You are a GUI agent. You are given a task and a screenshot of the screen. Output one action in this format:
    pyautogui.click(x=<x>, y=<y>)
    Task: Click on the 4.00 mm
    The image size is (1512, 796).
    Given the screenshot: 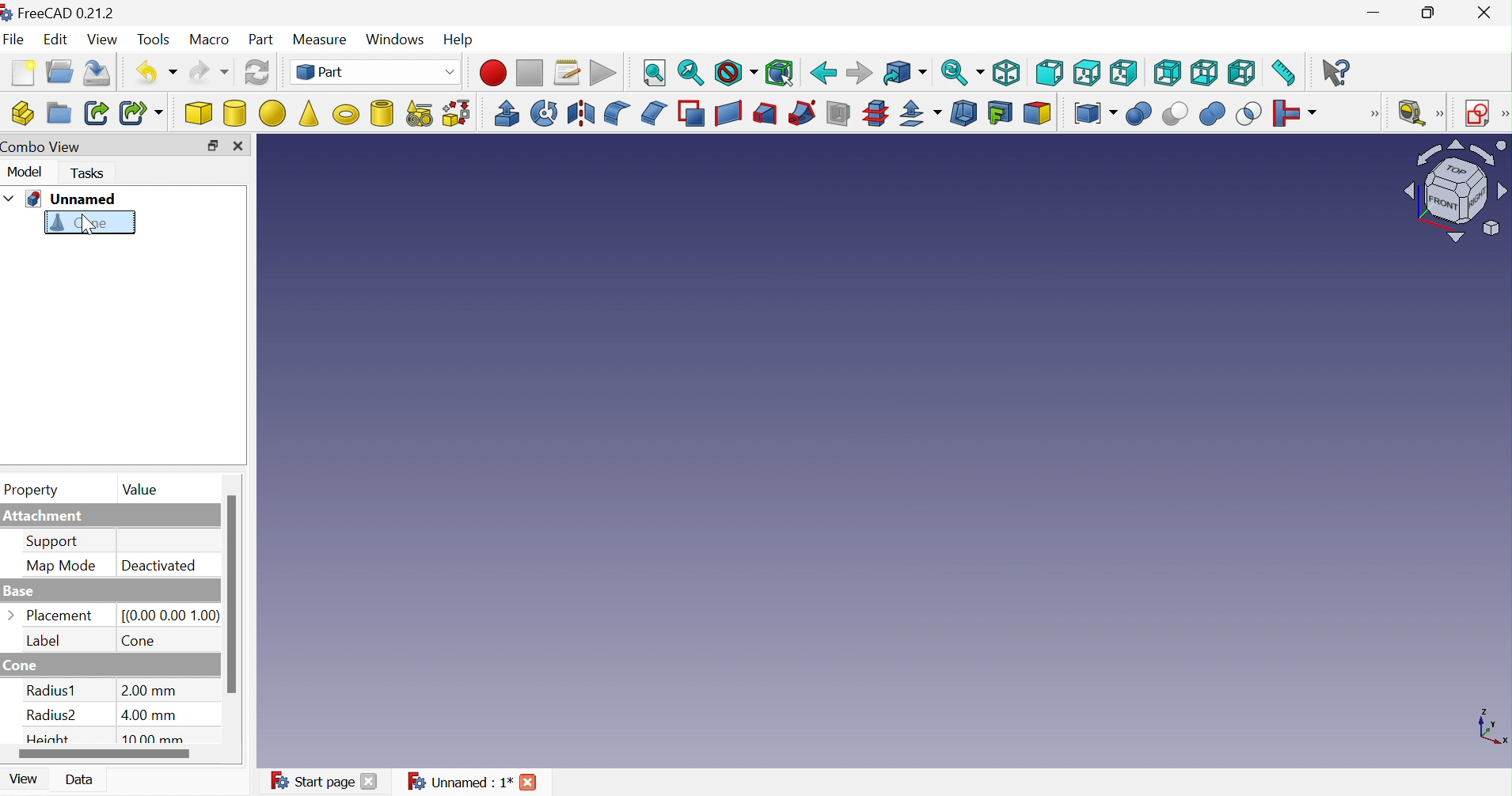 What is the action you would take?
    pyautogui.click(x=150, y=715)
    